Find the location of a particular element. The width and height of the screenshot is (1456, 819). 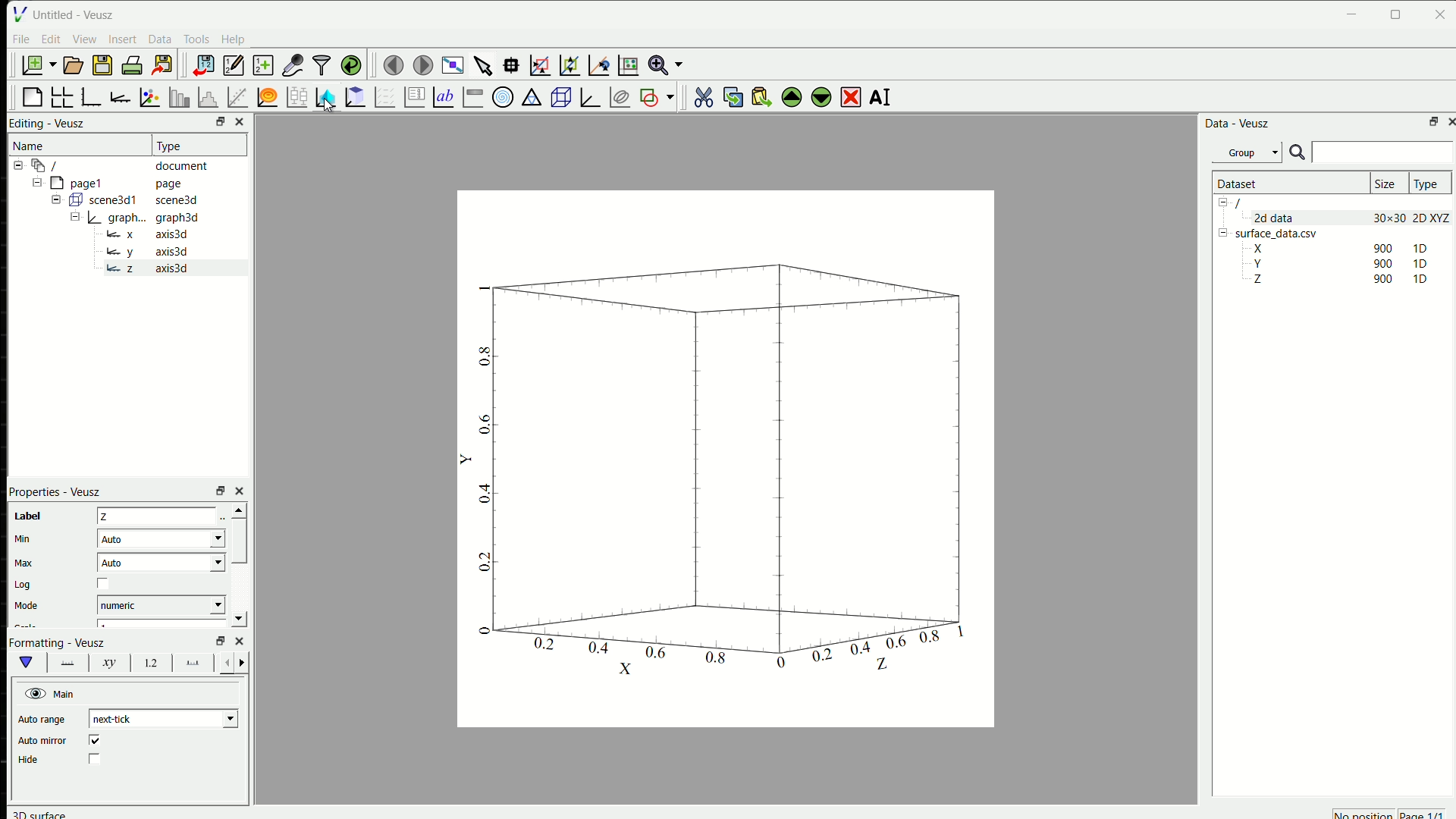

click to recenter graph axis is located at coordinates (600, 65).